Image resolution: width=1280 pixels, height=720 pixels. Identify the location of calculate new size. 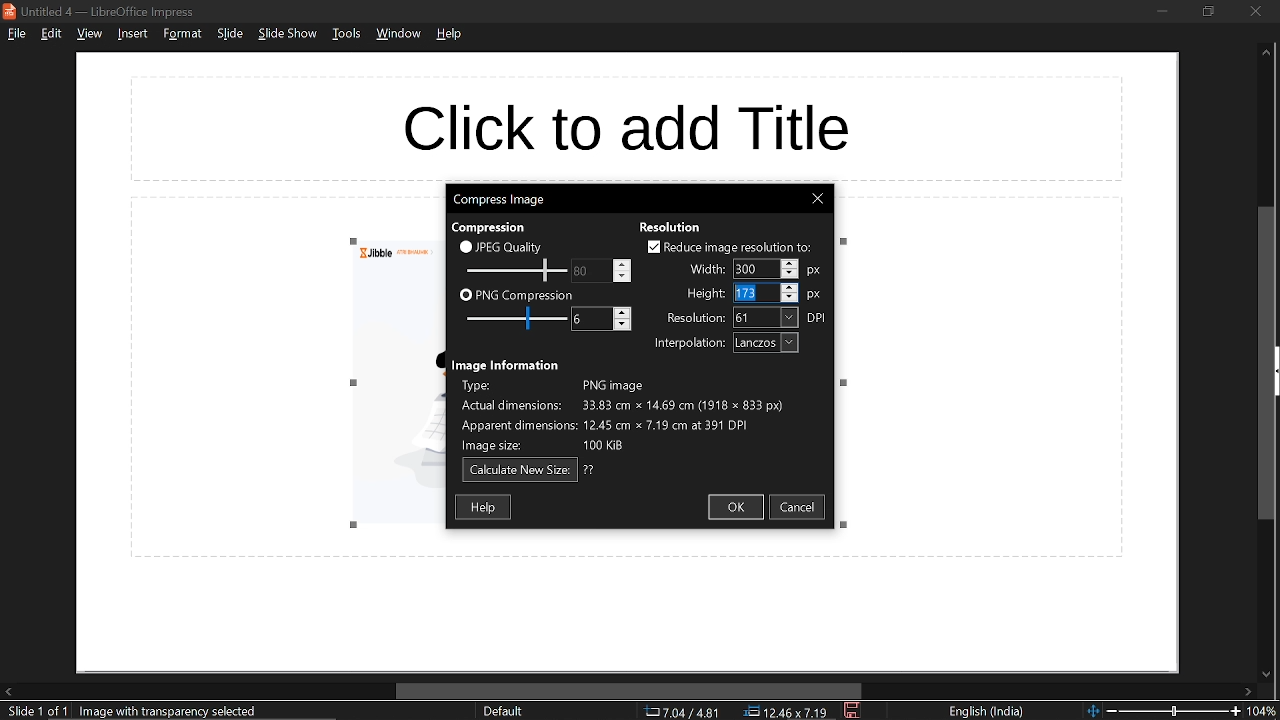
(519, 470).